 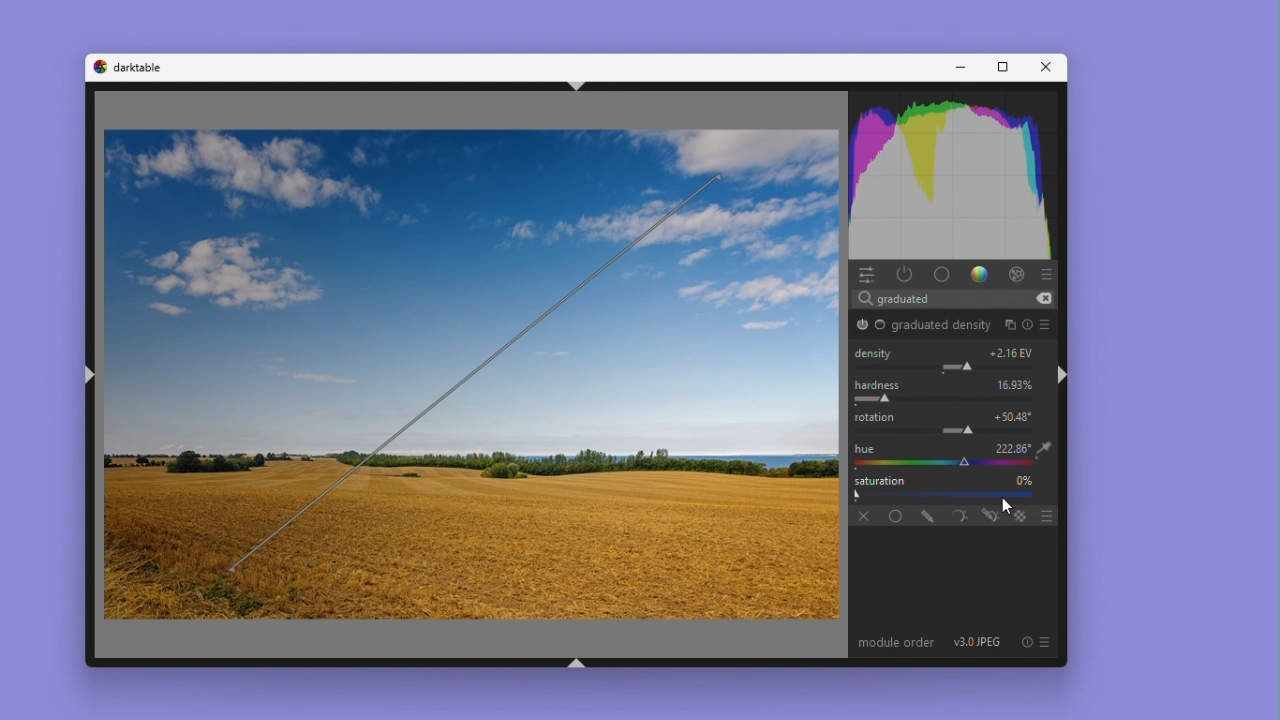 What do you see at coordinates (1029, 324) in the screenshot?
I see `reset` at bounding box center [1029, 324].